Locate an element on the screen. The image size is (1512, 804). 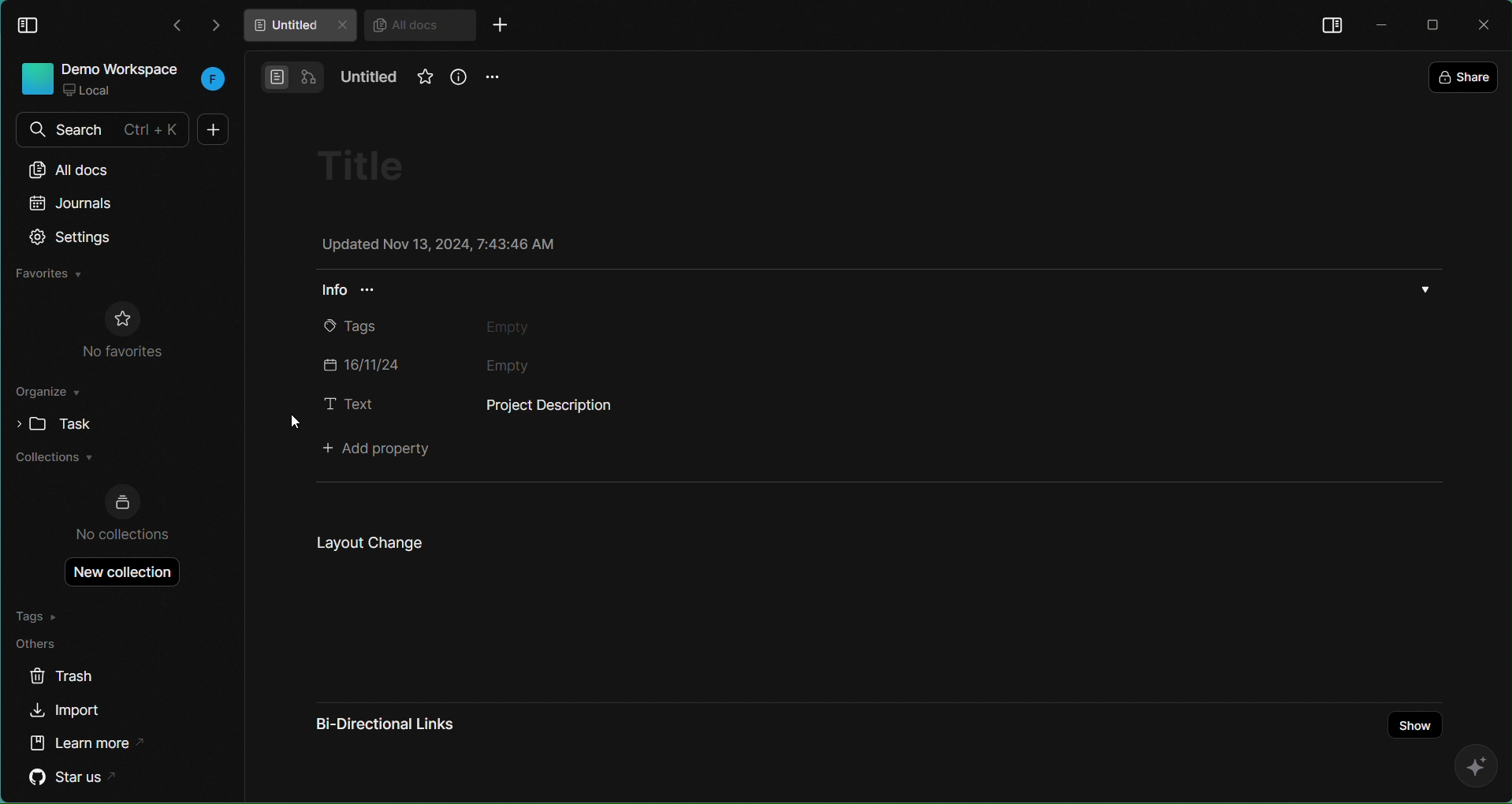
+ is located at coordinates (210, 129).